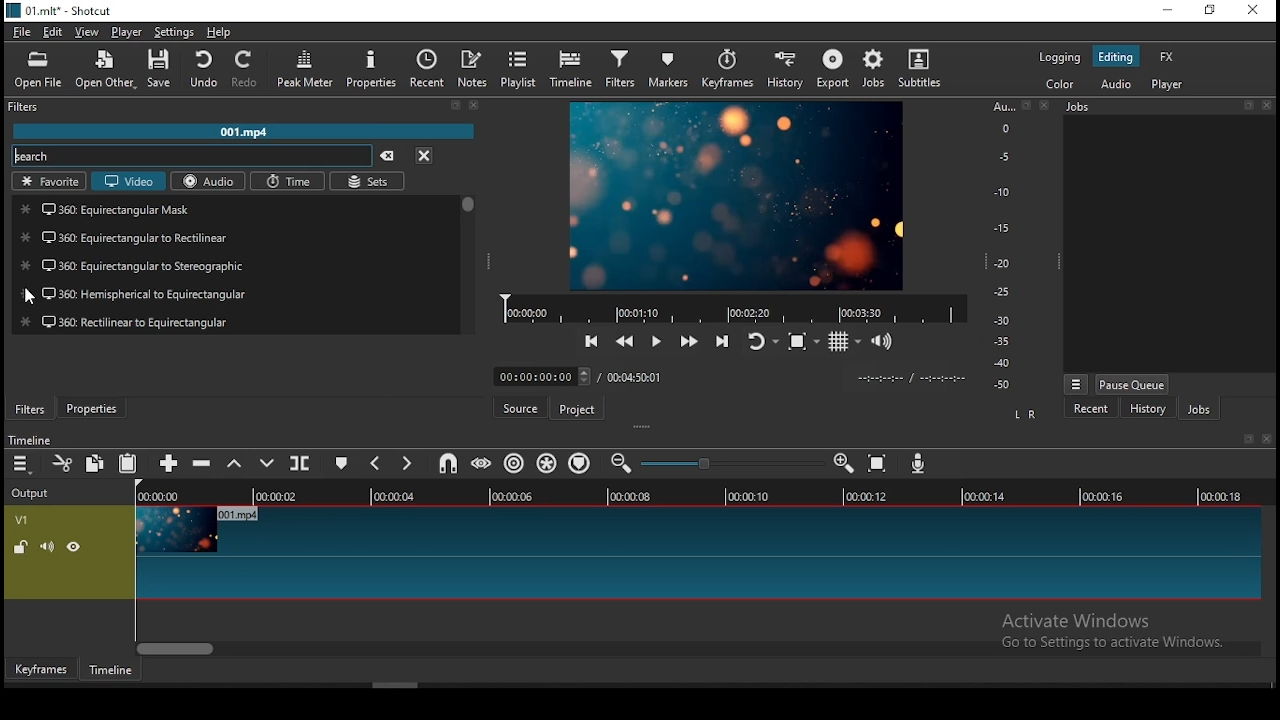 This screenshot has width=1280, height=720. What do you see at coordinates (33, 440) in the screenshot?
I see `Timeline` at bounding box center [33, 440].